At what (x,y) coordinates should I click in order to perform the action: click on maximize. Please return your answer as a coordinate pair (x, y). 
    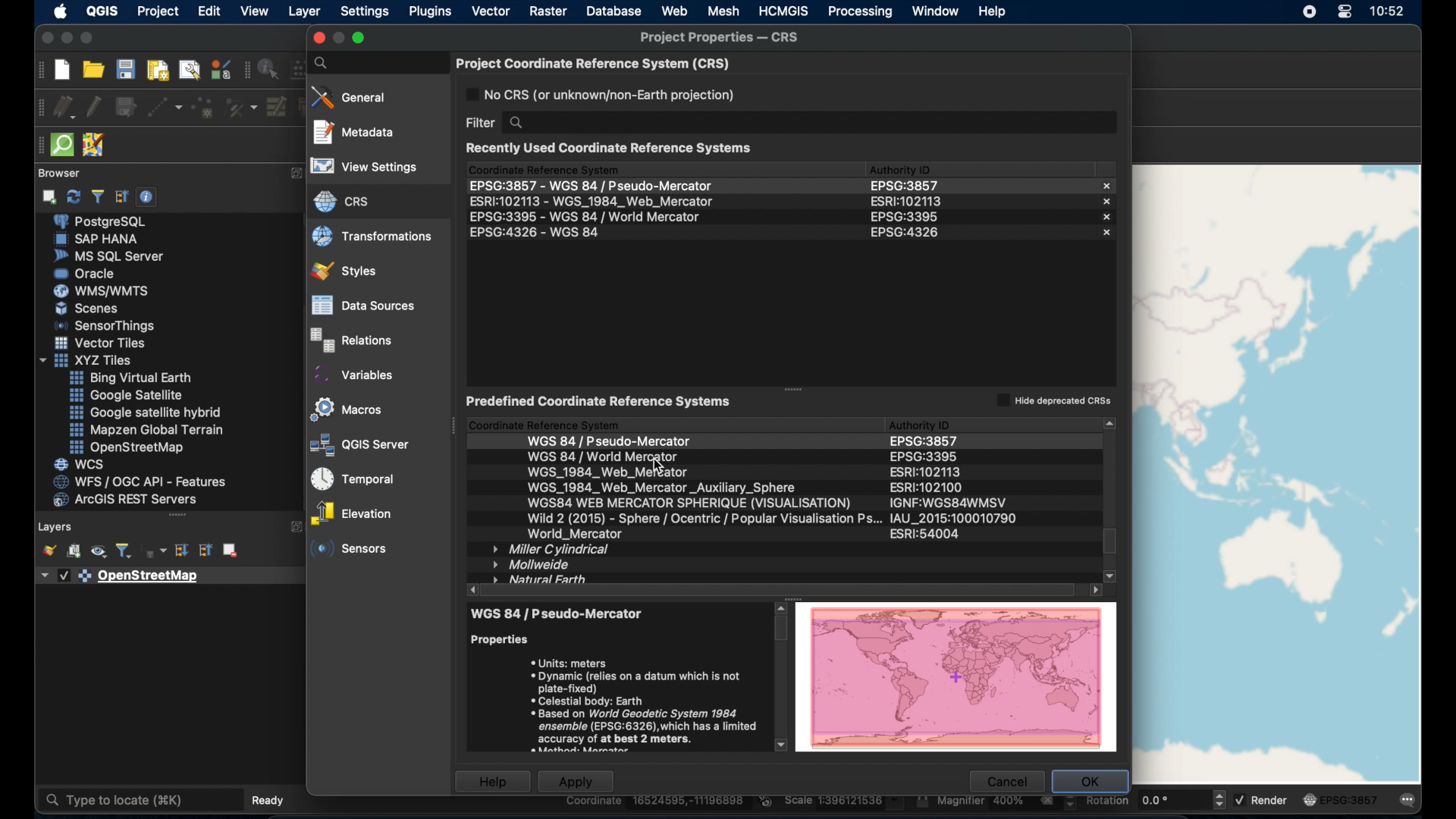
    Looking at the image, I should click on (362, 36).